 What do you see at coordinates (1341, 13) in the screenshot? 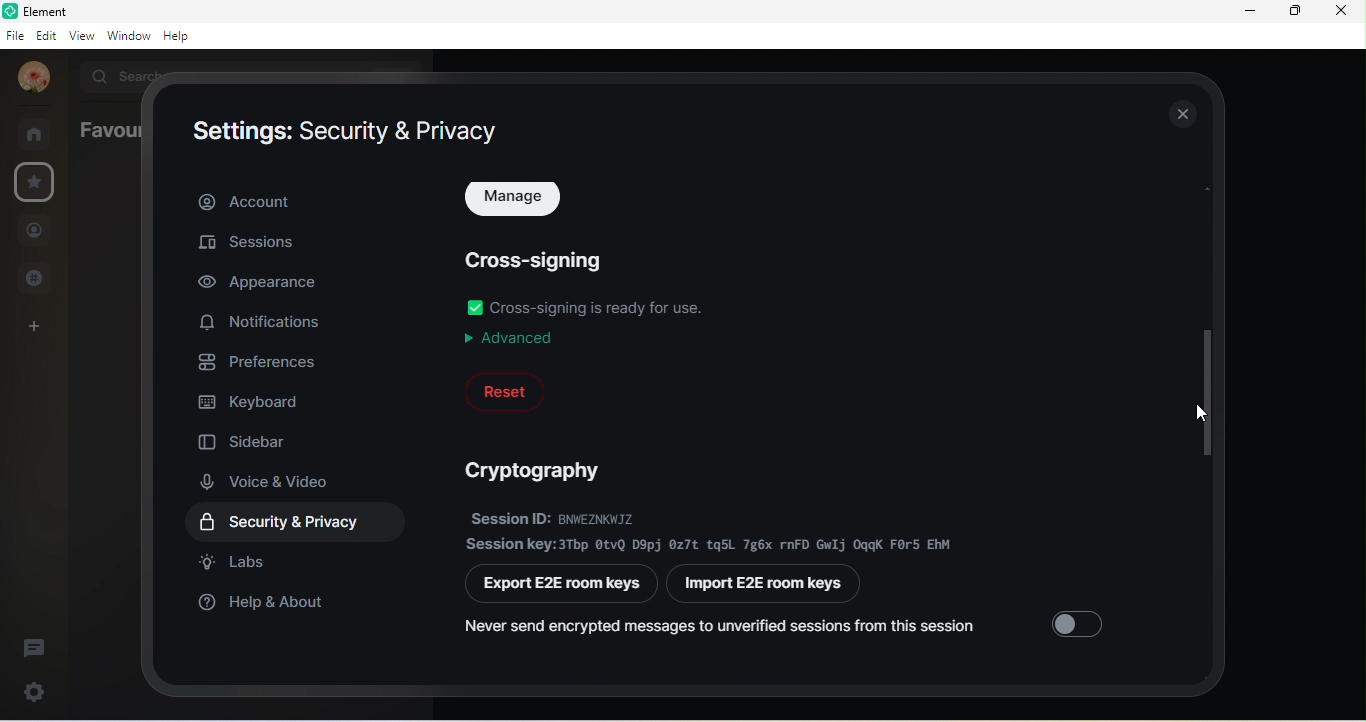
I see `close` at bounding box center [1341, 13].